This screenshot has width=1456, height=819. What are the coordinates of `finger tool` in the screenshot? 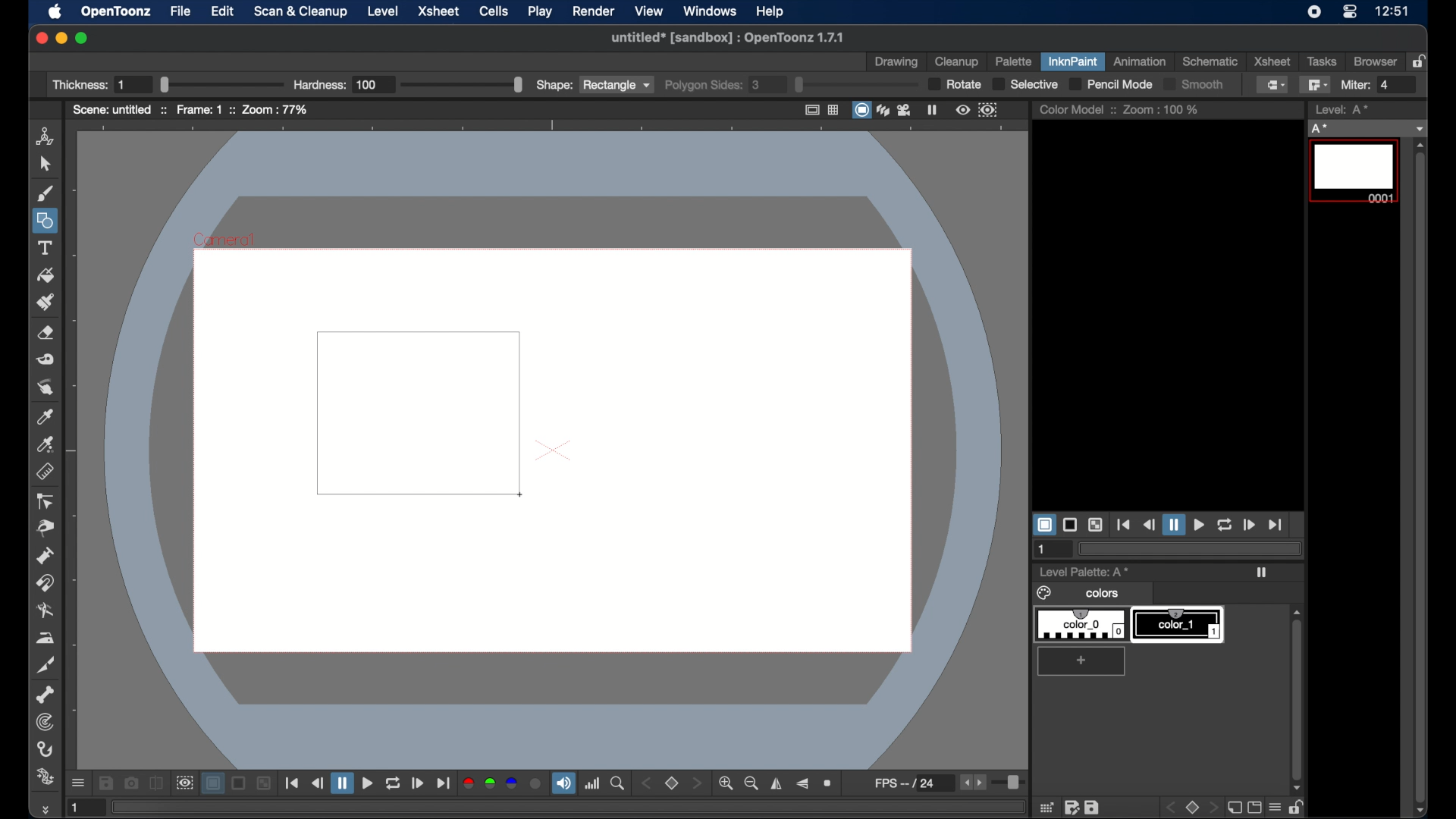 It's located at (45, 388).